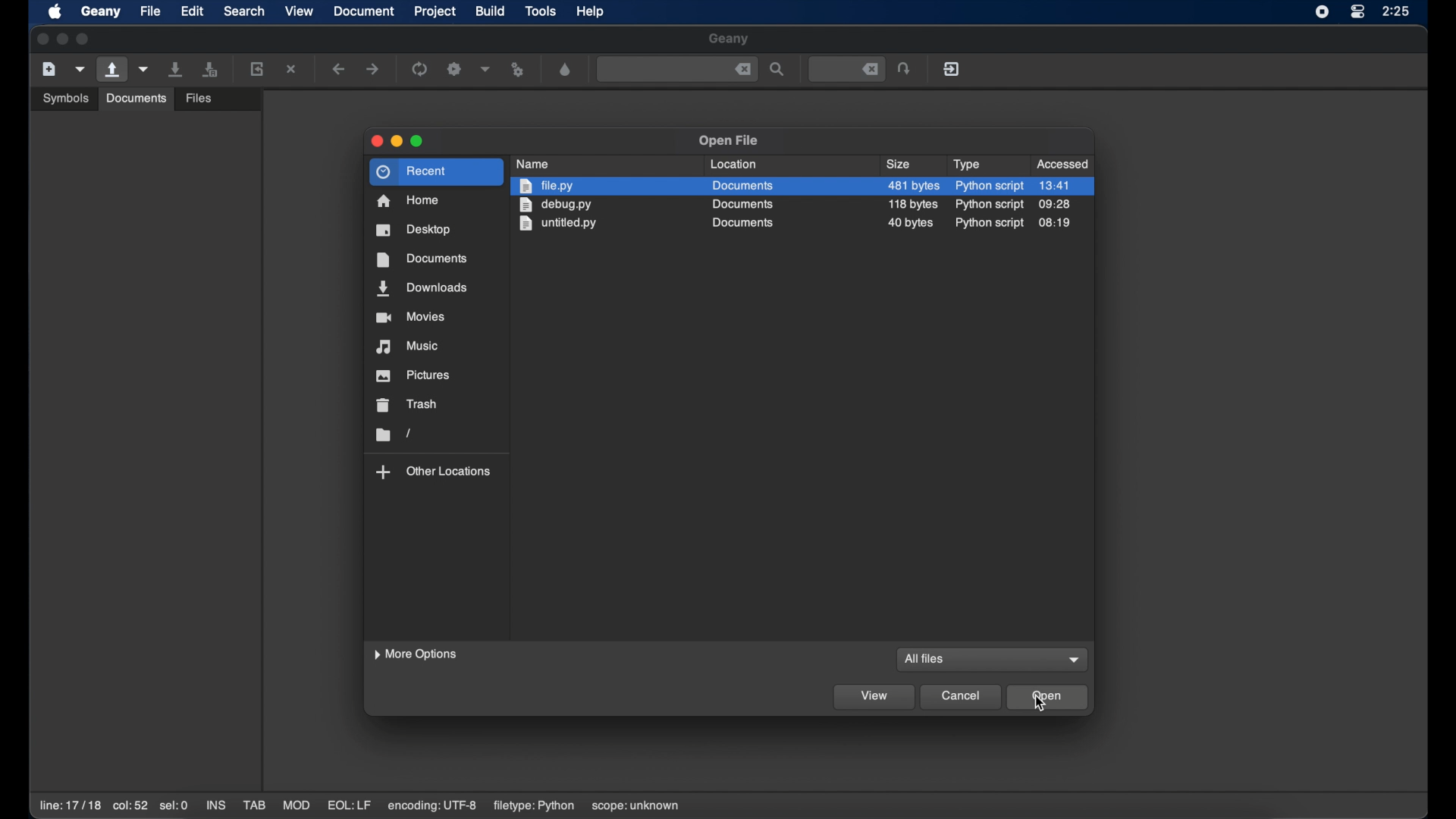  I want to click on size, so click(900, 165).